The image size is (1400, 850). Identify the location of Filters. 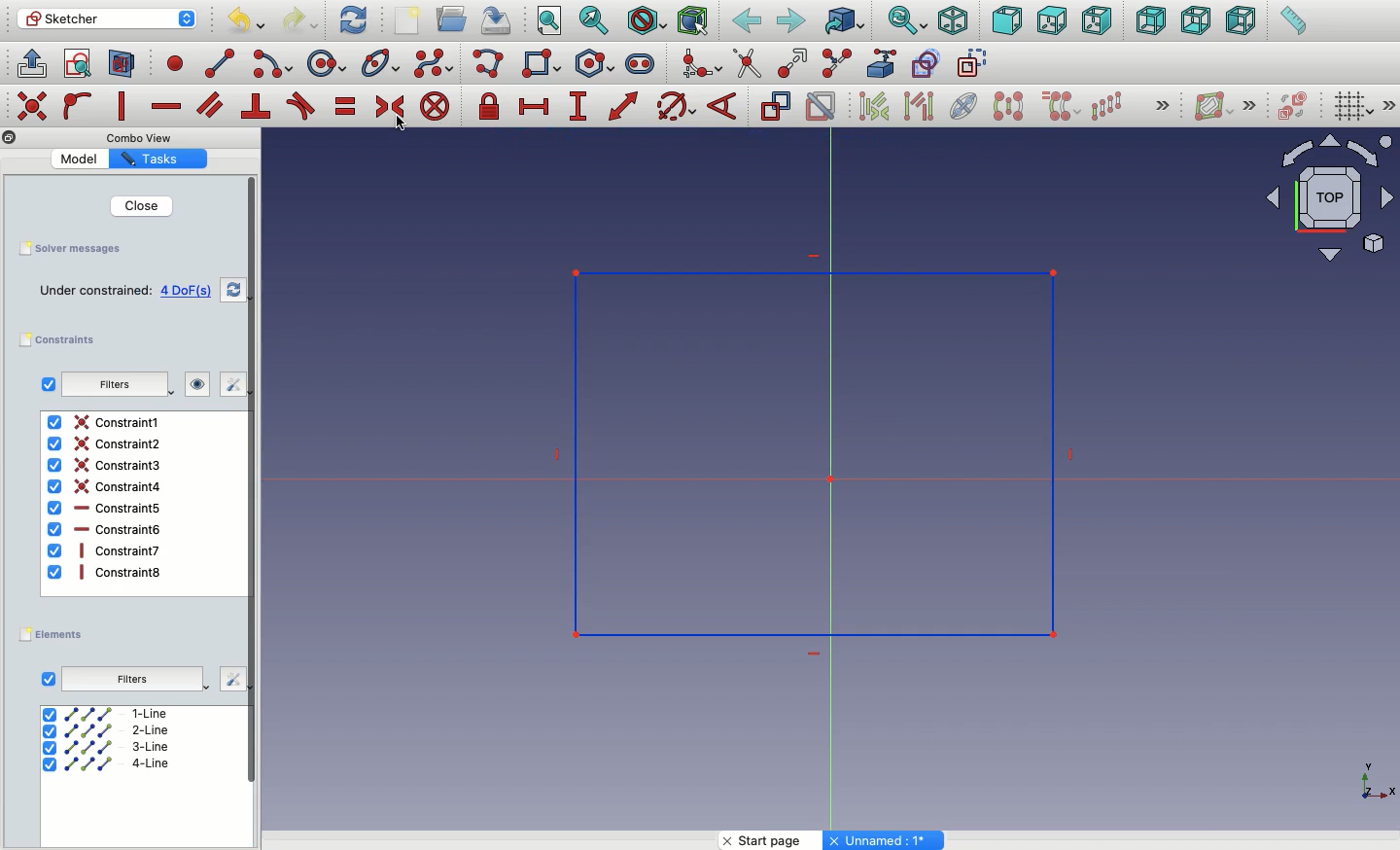
(131, 680).